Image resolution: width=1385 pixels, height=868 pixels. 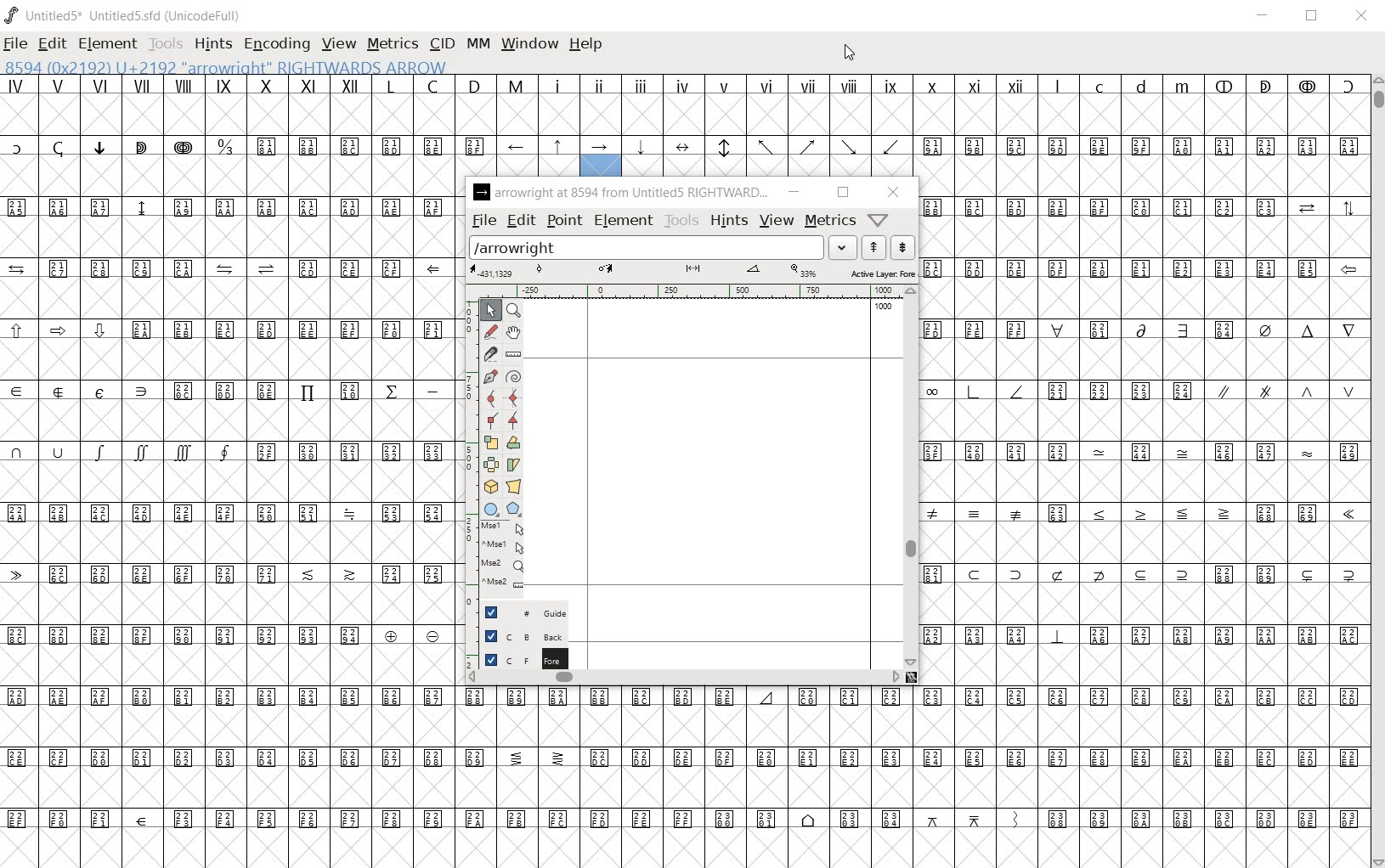 What do you see at coordinates (496, 558) in the screenshot?
I see `mse1 mse1 mse2 mse2` at bounding box center [496, 558].